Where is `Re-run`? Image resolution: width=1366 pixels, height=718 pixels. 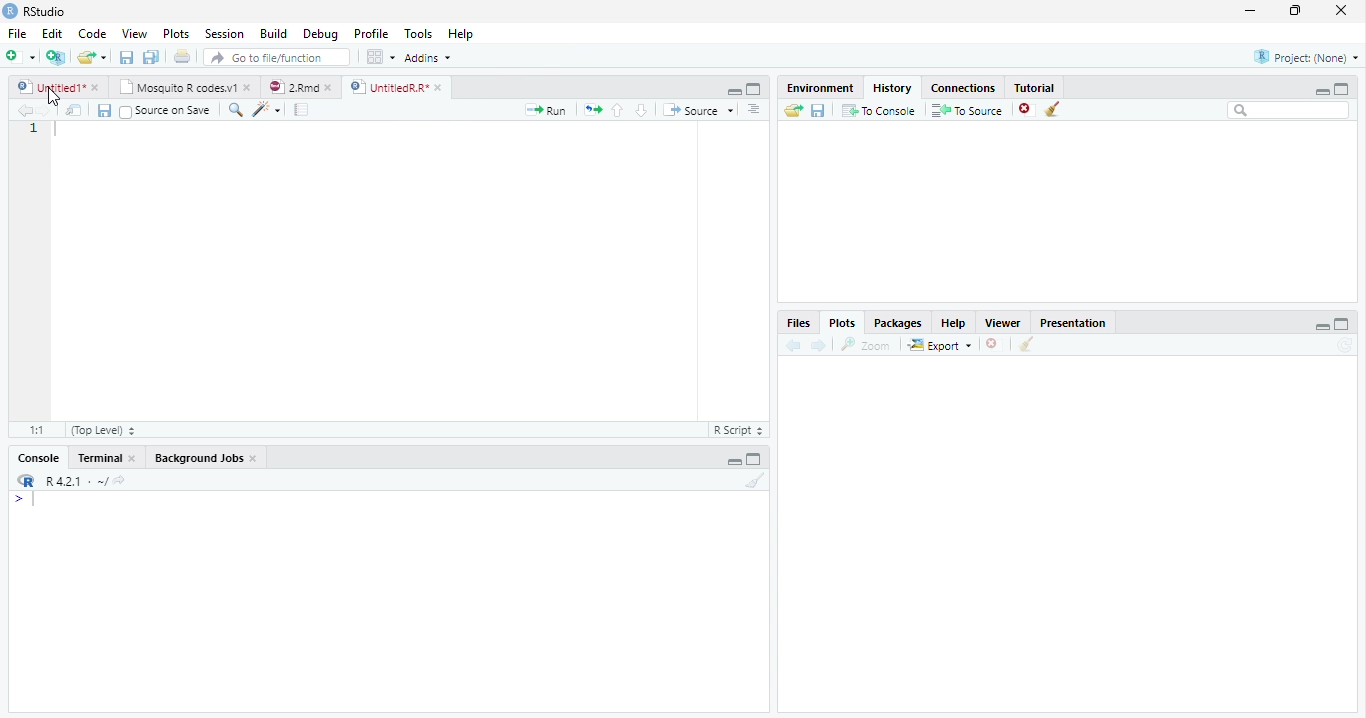 Re-run is located at coordinates (591, 110).